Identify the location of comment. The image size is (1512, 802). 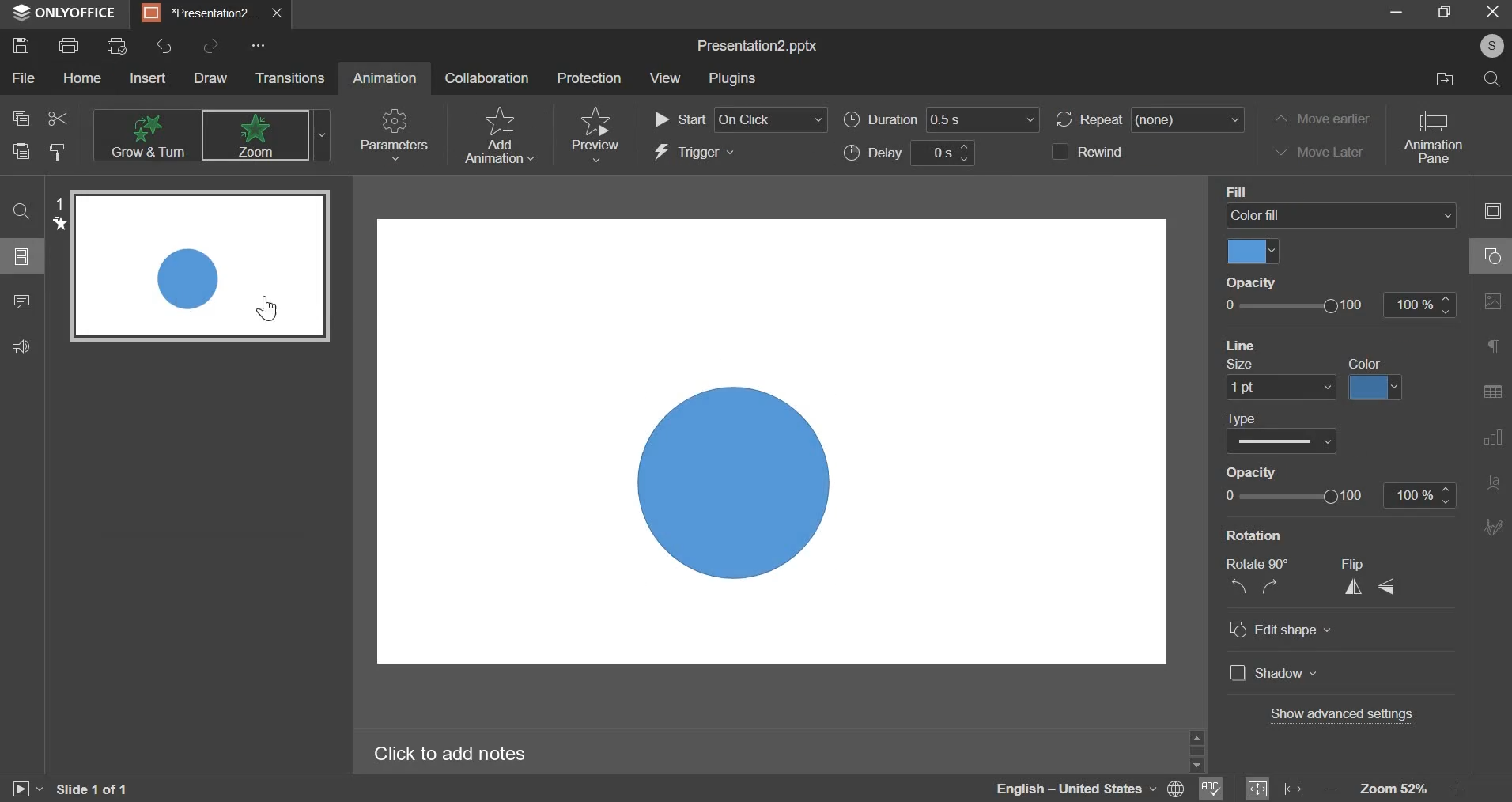
(20, 302).